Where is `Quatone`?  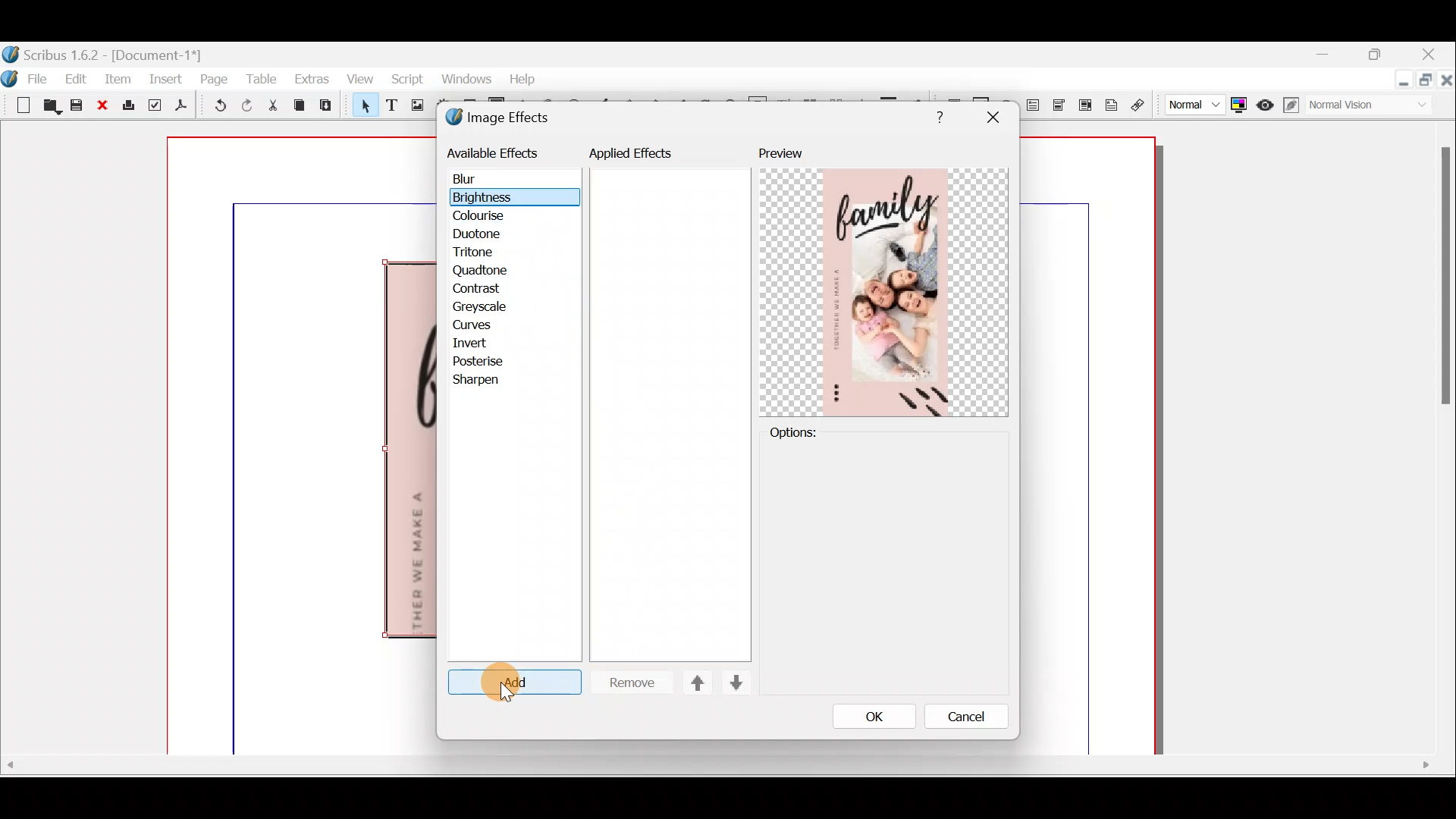
Quatone is located at coordinates (480, 272).